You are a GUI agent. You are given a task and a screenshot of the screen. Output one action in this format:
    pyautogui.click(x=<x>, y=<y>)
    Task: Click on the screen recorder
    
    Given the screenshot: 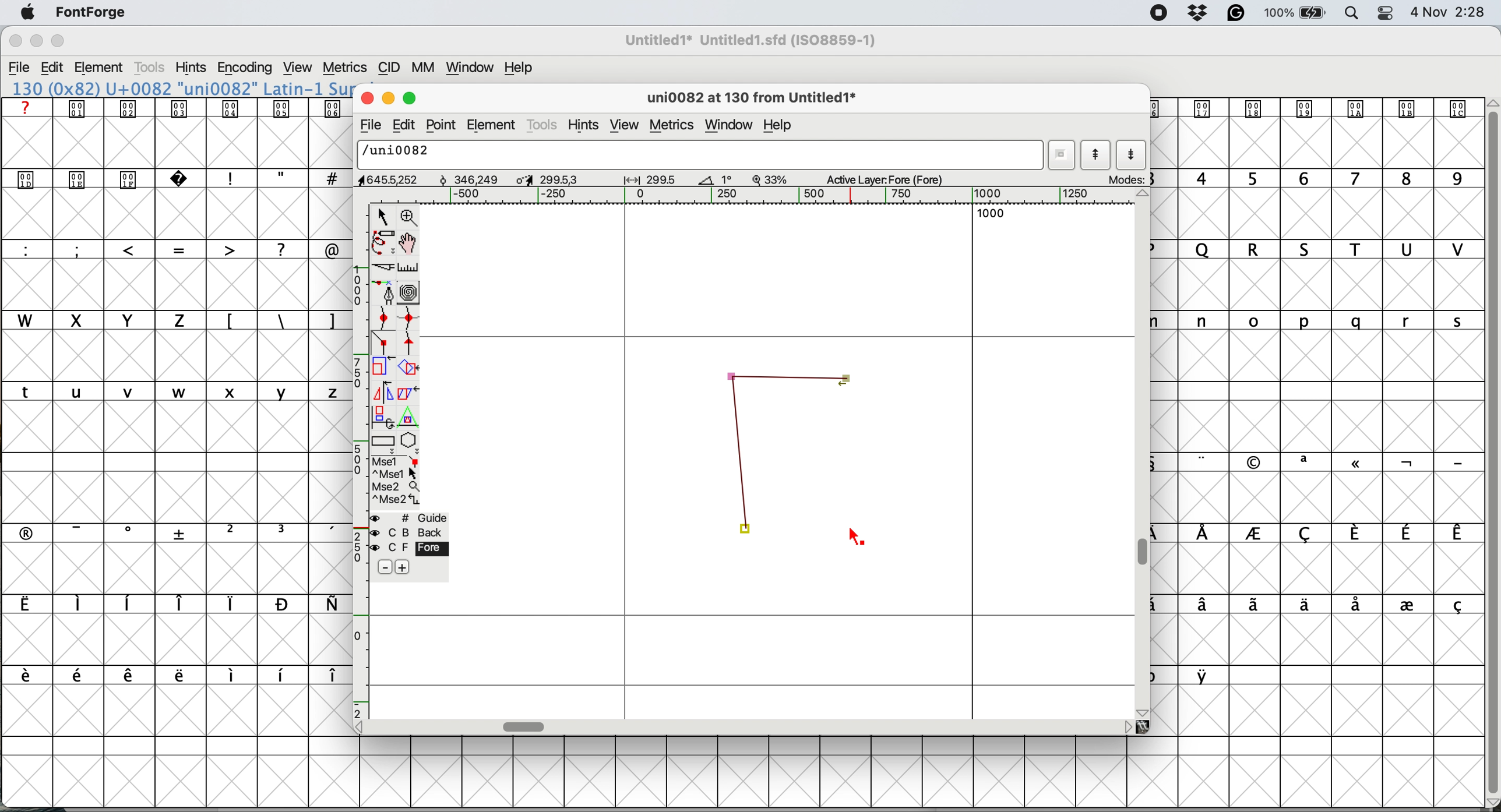 What is the action you would take?
    pyautogui.click(x=1160, y=13)
    